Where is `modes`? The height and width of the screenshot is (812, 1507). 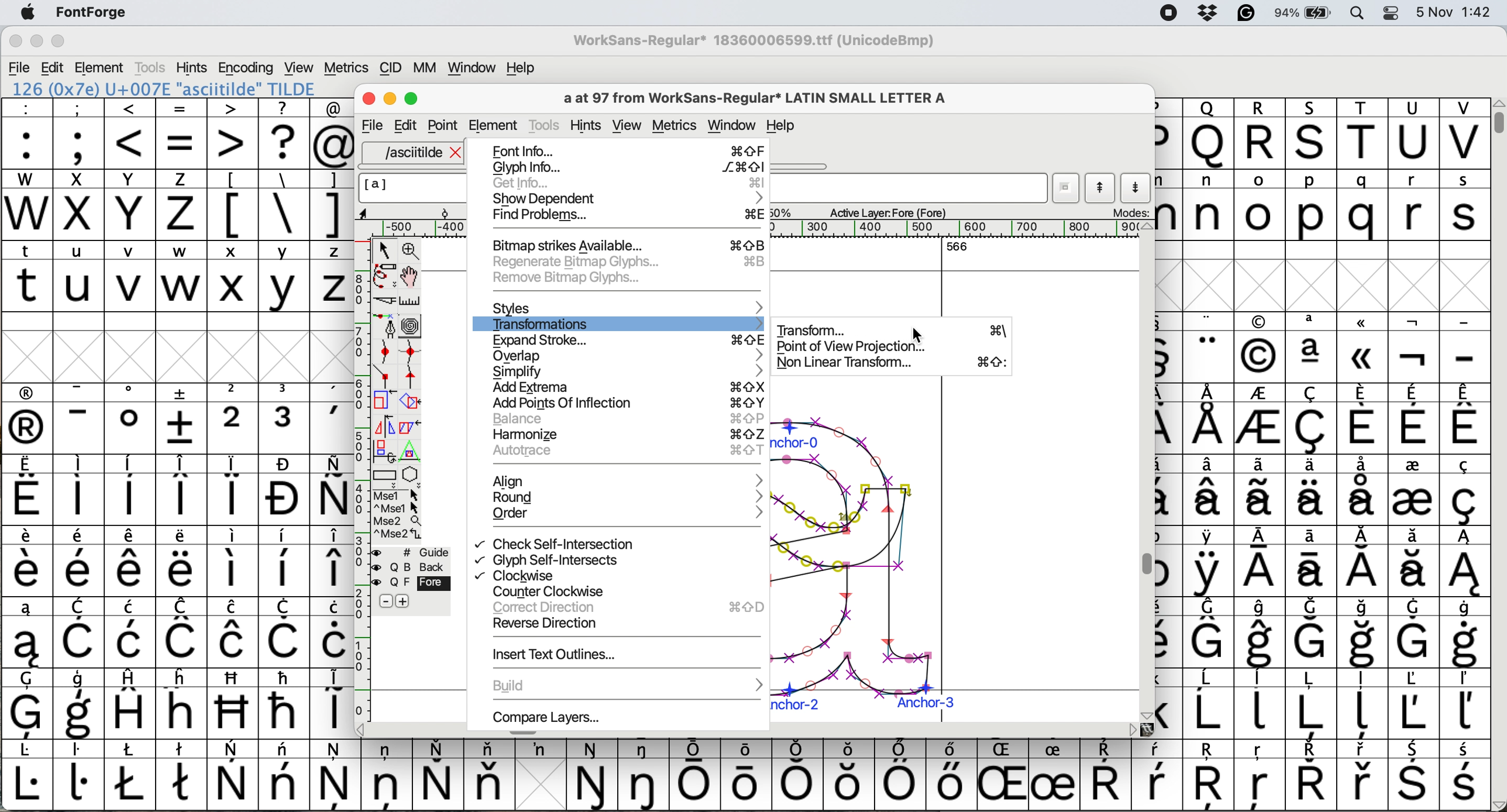 modes is located at coordinates (1130, 212).